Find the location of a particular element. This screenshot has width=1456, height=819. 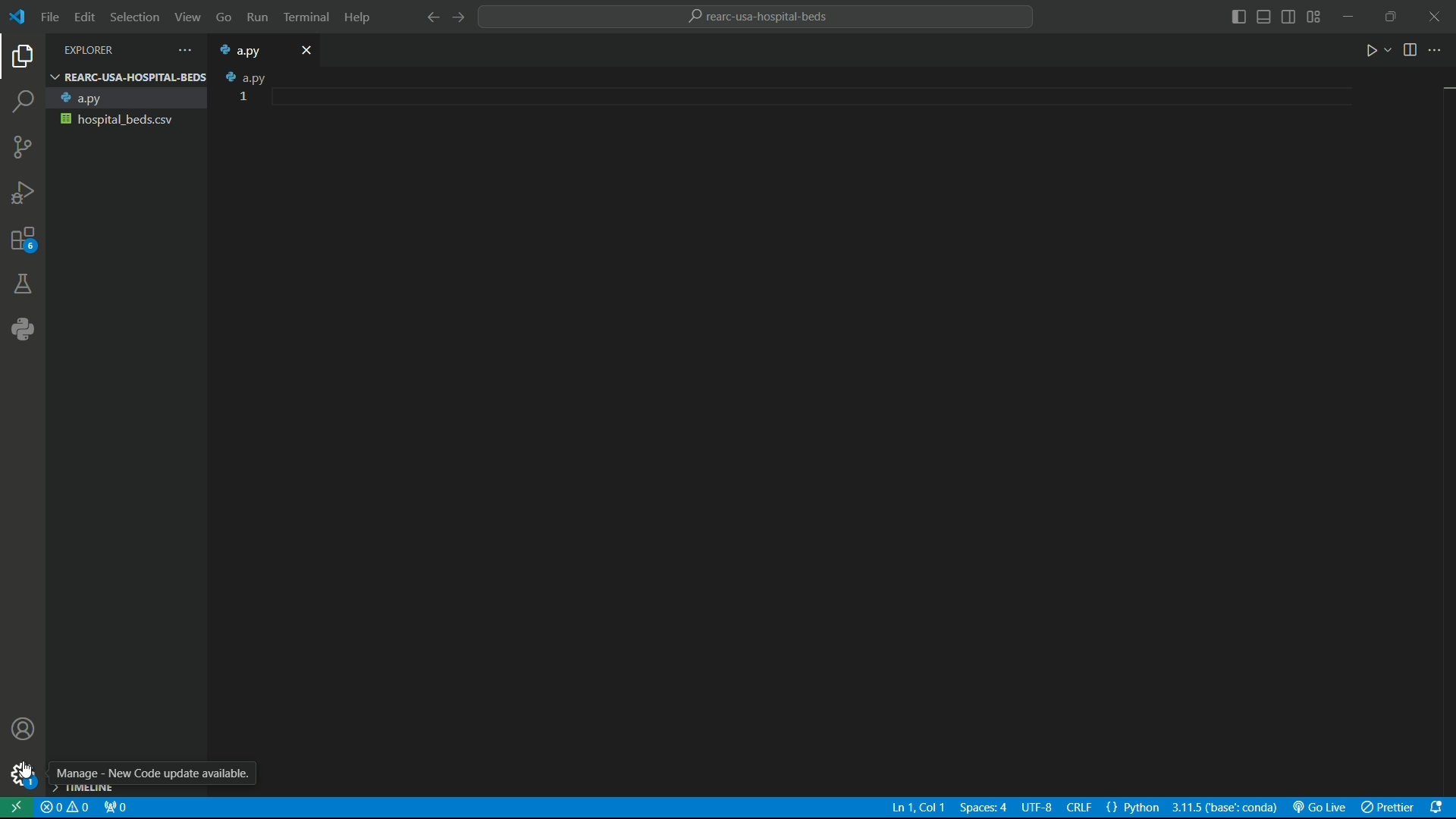

run code is located at coordinates (1373, 50).